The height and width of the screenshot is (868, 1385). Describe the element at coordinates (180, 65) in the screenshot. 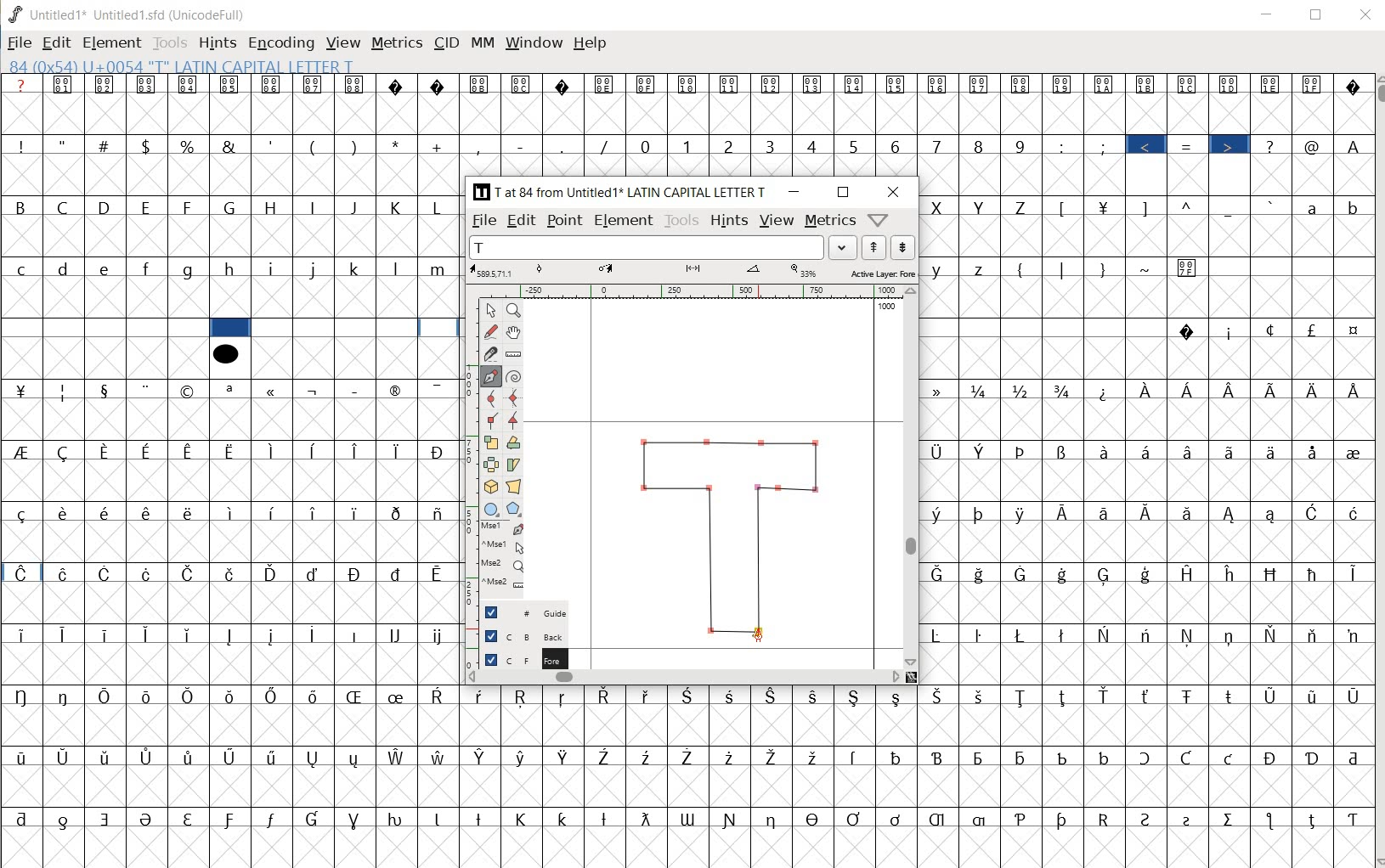

I see `glyph info` at that location.